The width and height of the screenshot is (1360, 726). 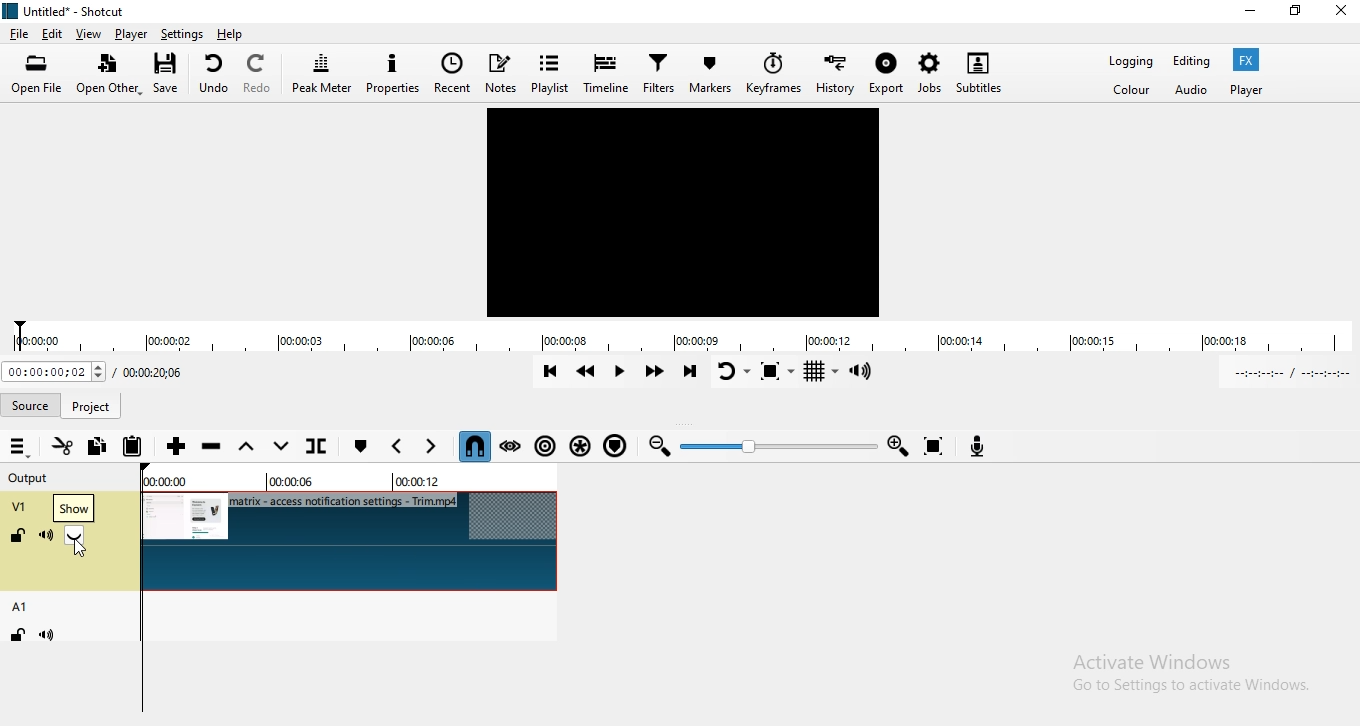 What do you see at coordinates (1296, 13) in the screenshot?
I see `Restore` at bounding box center [1296, 13].